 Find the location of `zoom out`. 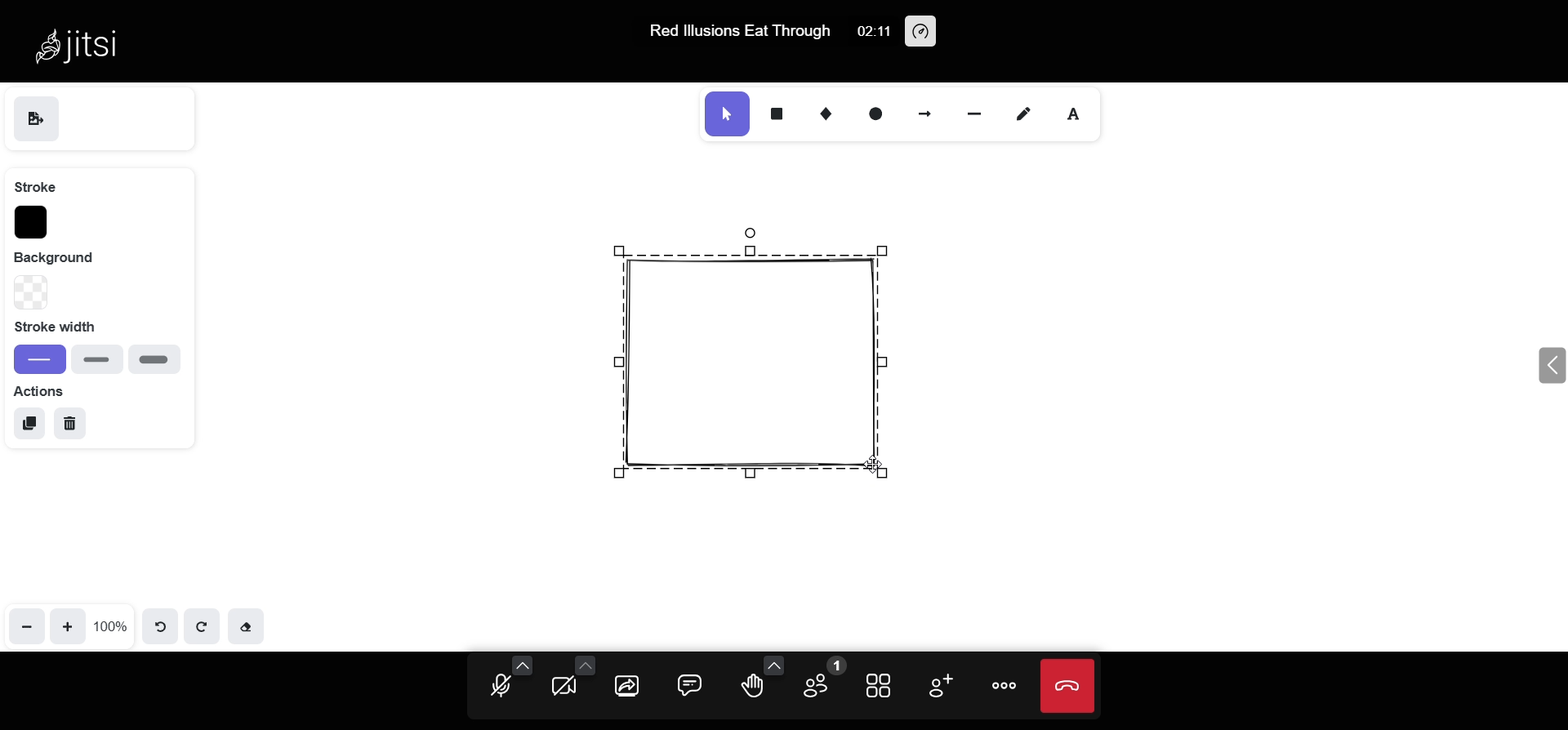

zoom out is located at coordinates (26, 625).